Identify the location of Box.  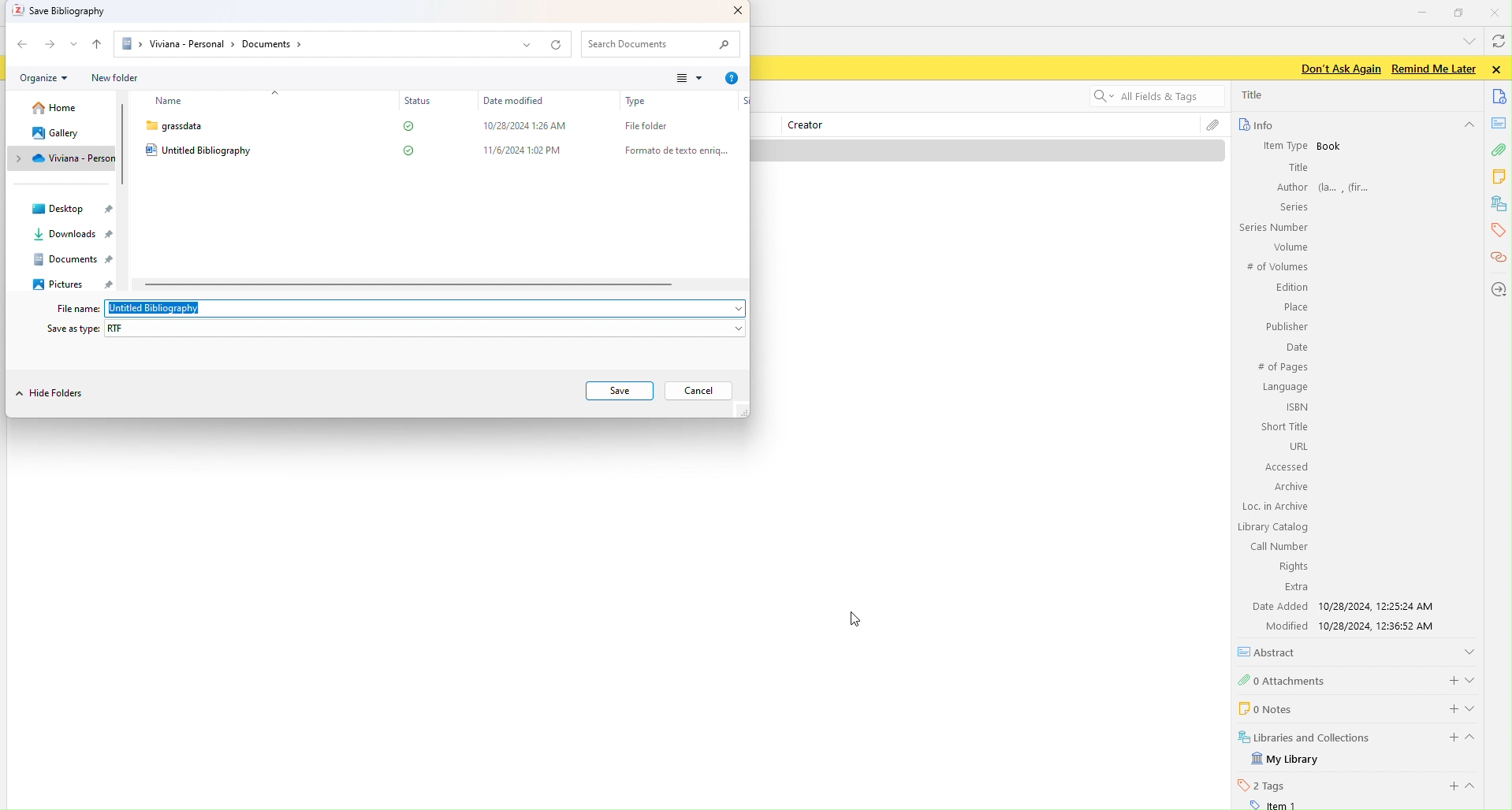
(1460, 13).